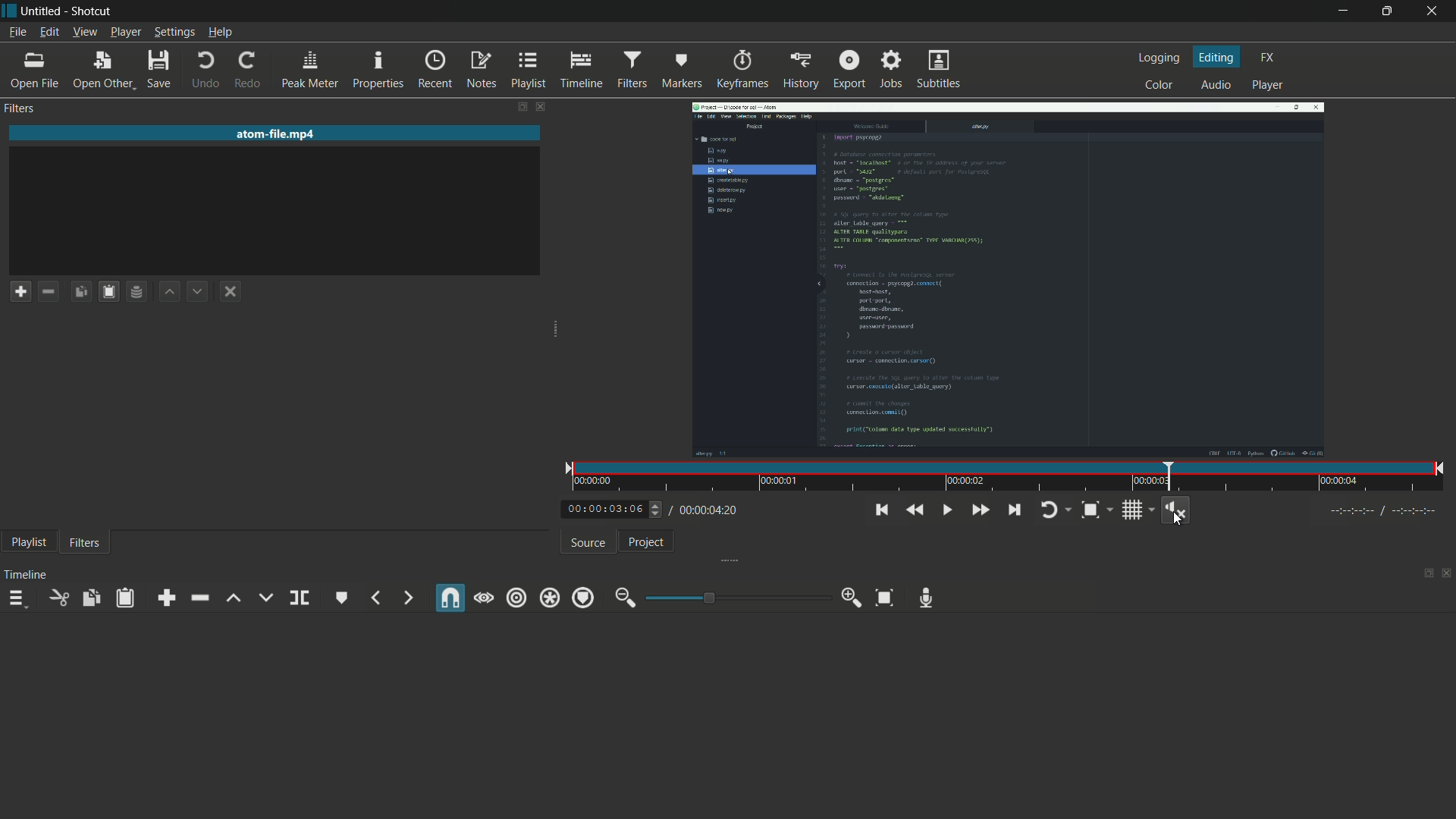 The width and height of the screenshot is (1456, 819). I want to click on player, so click(1269, 84).